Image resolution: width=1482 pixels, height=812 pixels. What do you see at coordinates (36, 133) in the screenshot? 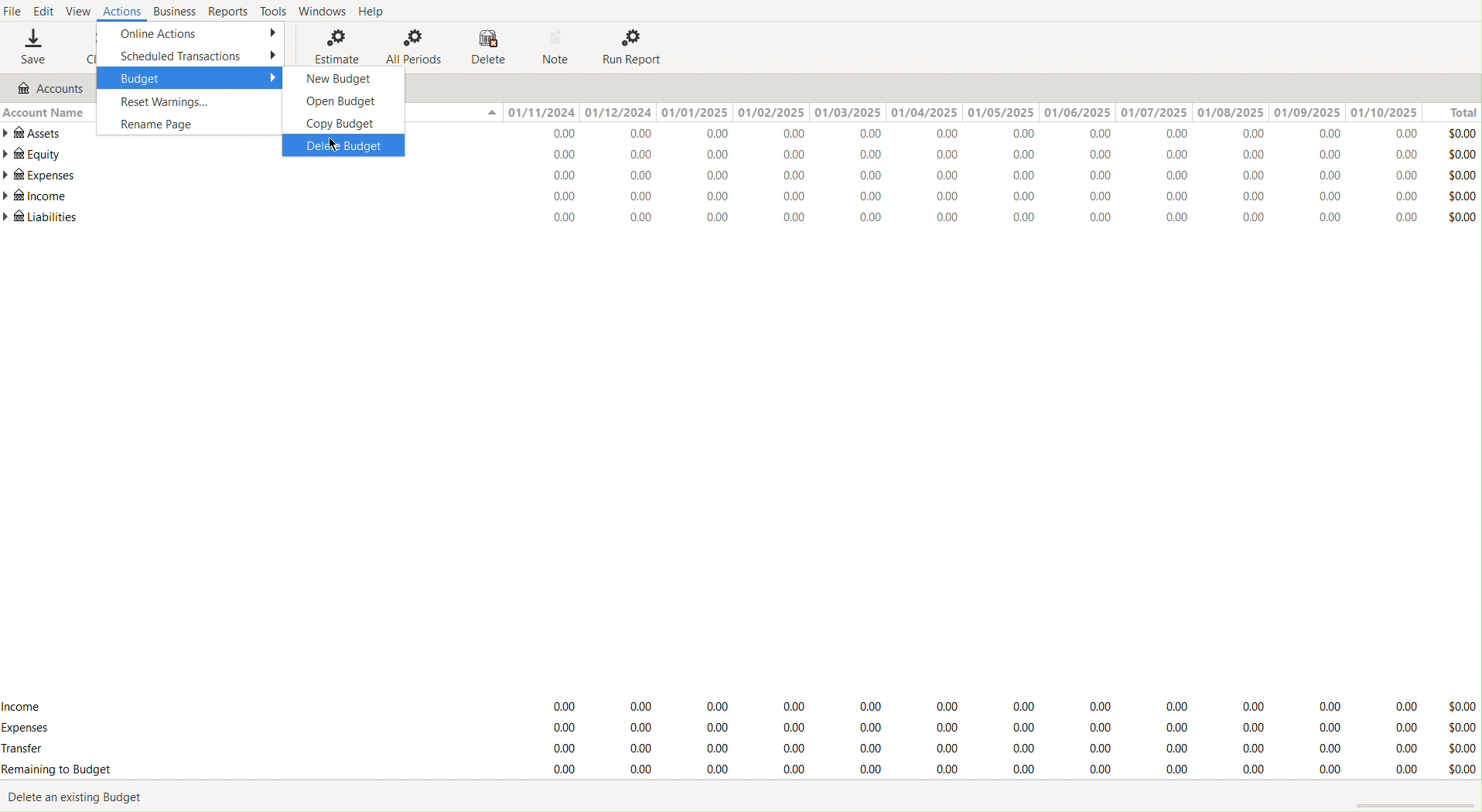
I see `Assets` at bounding box center [36, 133].